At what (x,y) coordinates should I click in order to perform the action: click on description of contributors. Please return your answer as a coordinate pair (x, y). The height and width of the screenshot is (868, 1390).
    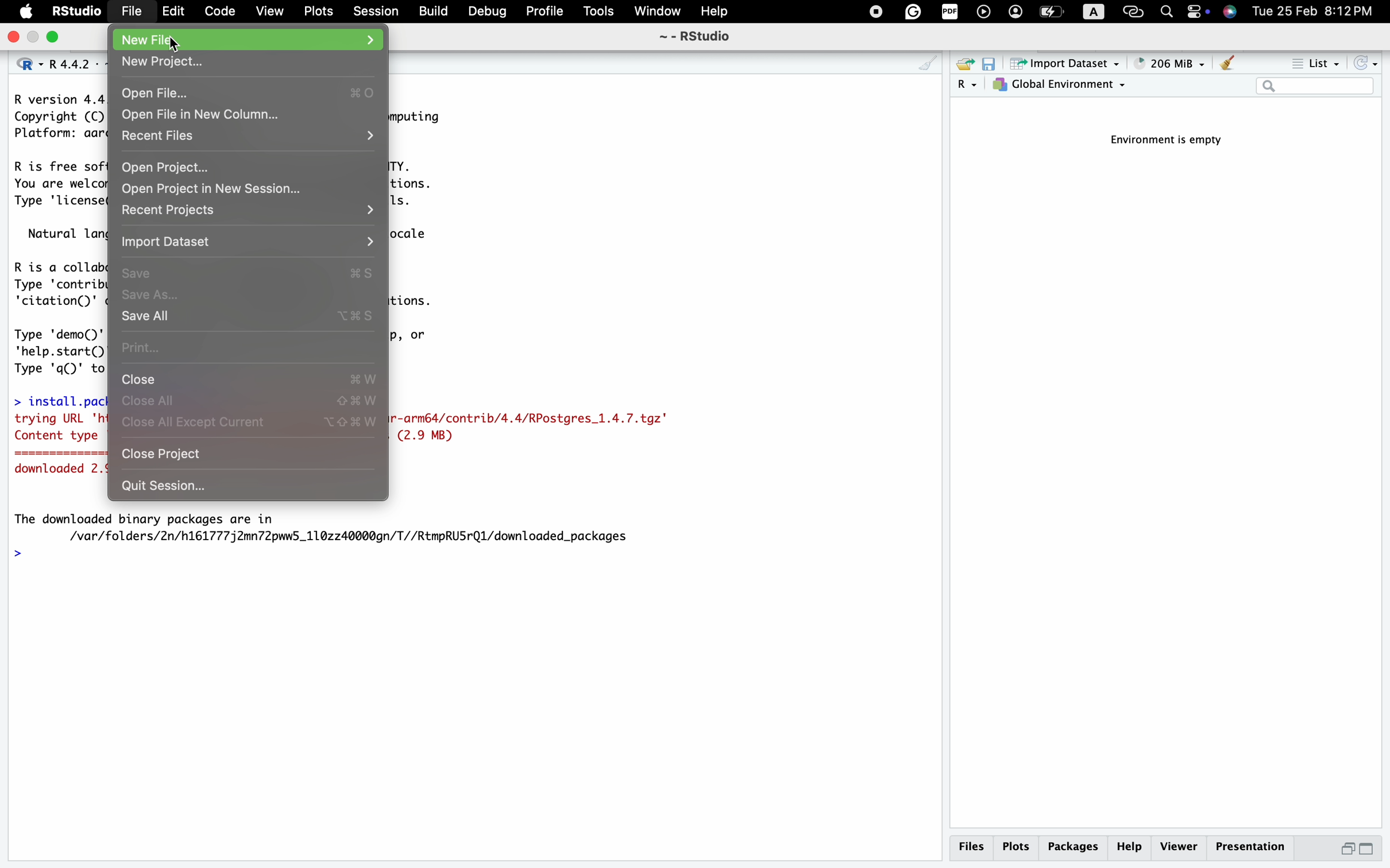
    Looking at the image, I should click on (56, 281).